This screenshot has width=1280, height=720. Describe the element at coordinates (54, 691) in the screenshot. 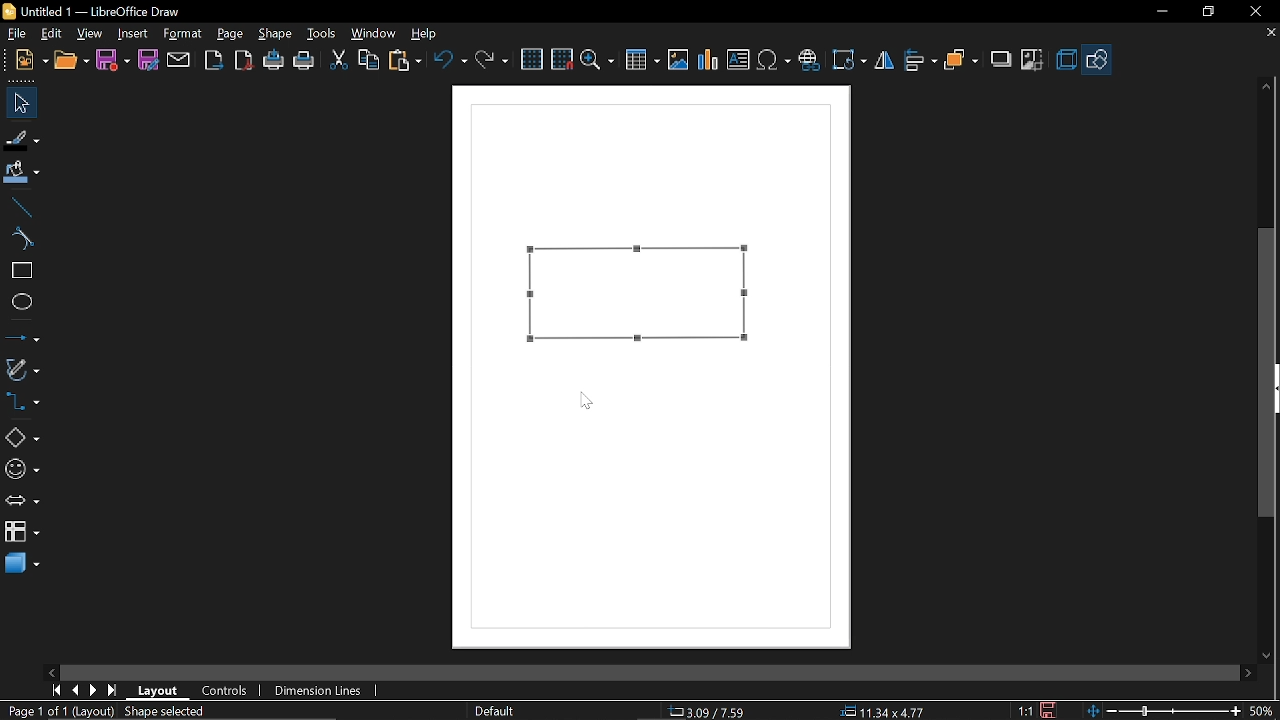

I see `go to first page` at that location.